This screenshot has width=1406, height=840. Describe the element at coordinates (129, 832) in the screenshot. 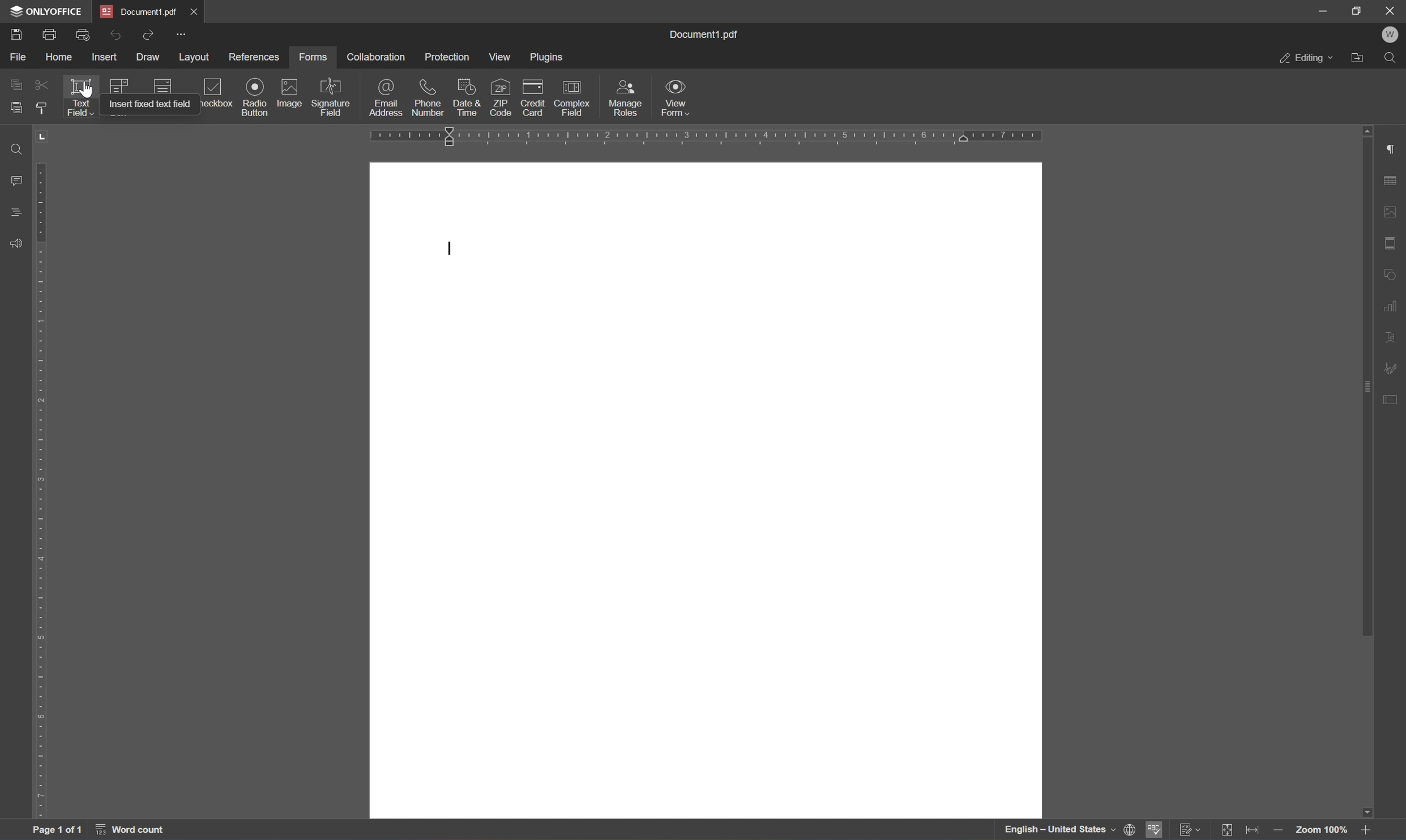

I see `word count` at that location.